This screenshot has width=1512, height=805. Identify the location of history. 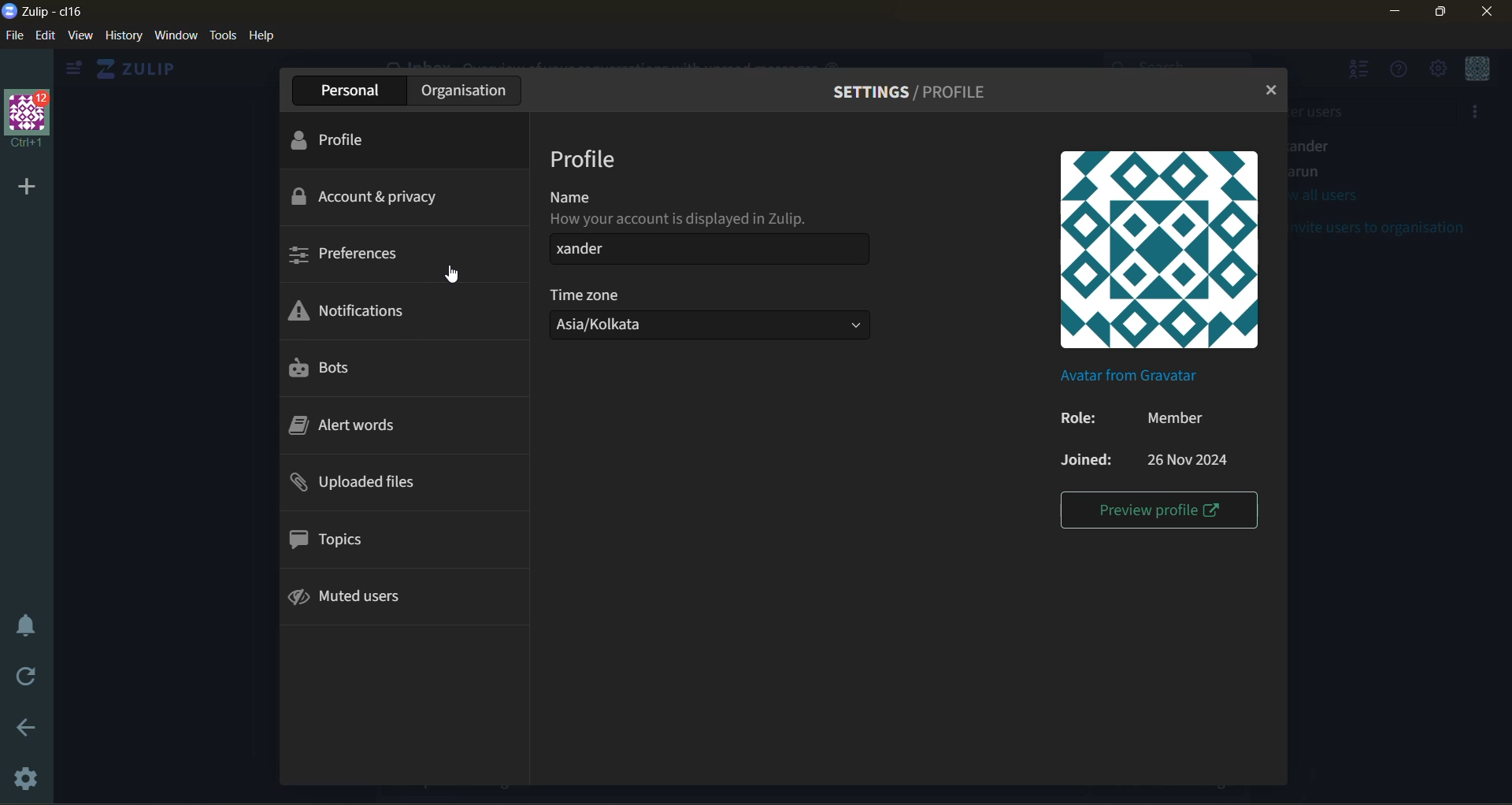
(123, 39).